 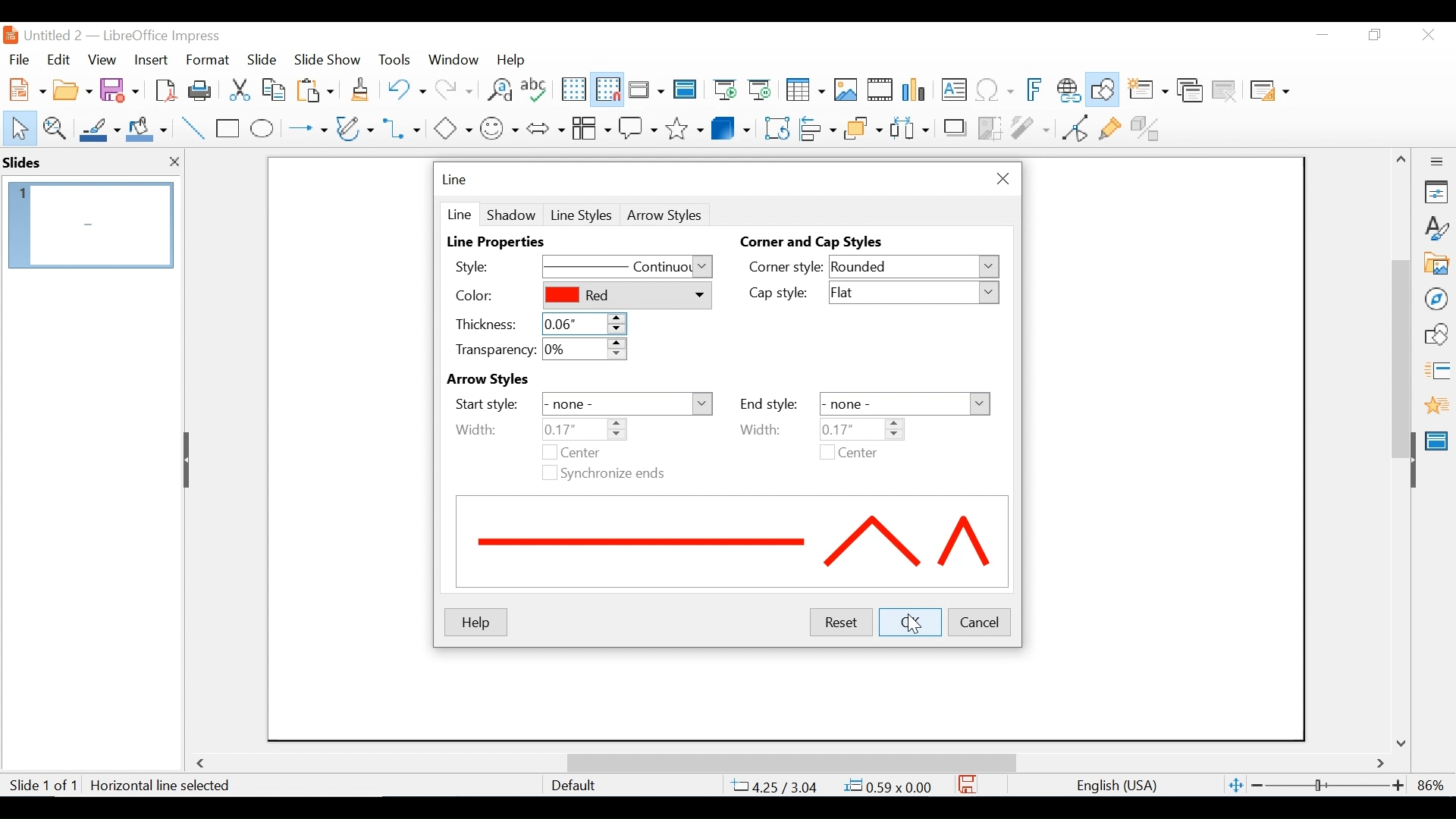 I want to click on Insert Textbox, so click(x=952, y=91).